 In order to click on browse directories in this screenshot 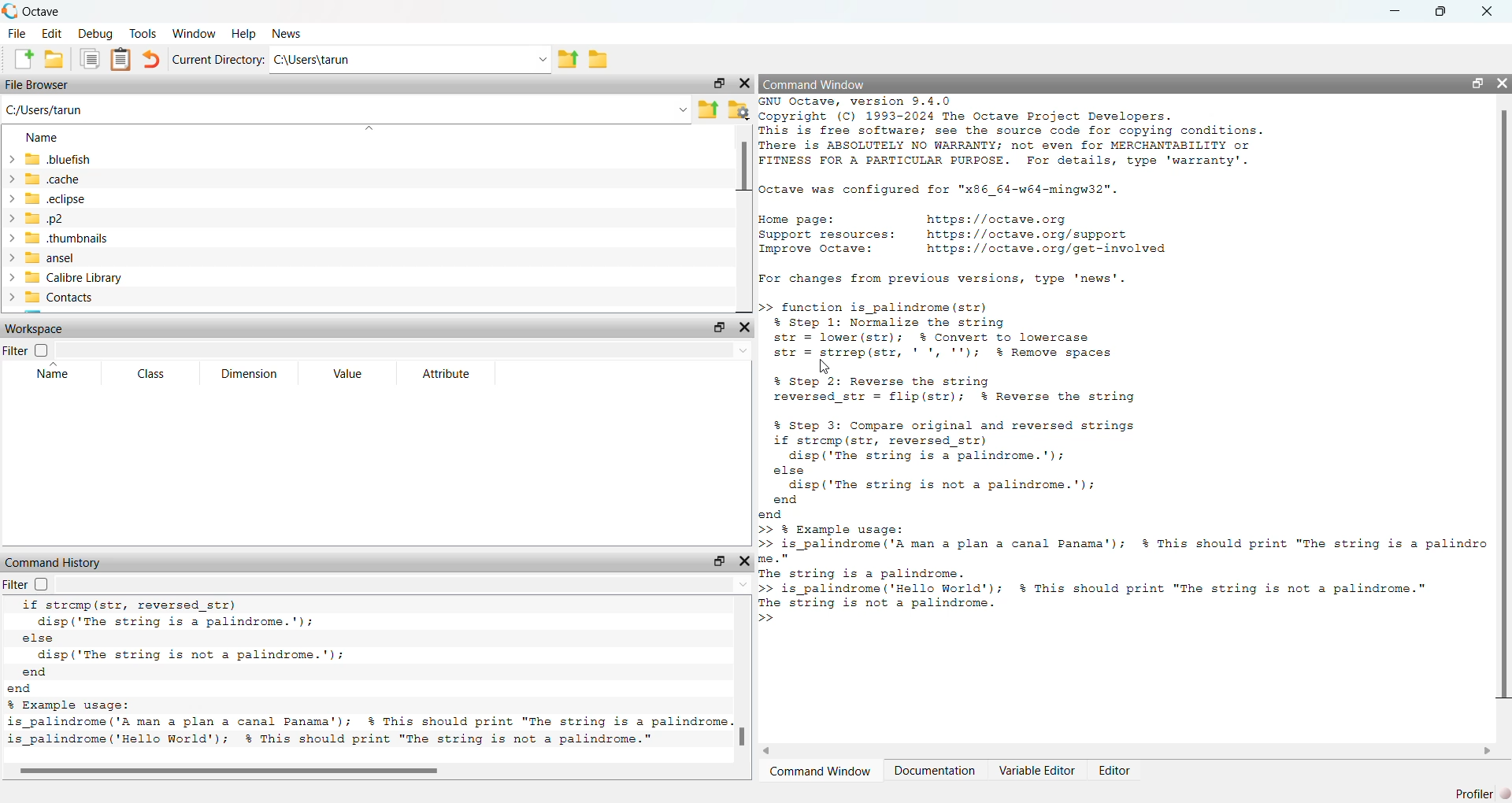, I will do `click(598, 60)`.